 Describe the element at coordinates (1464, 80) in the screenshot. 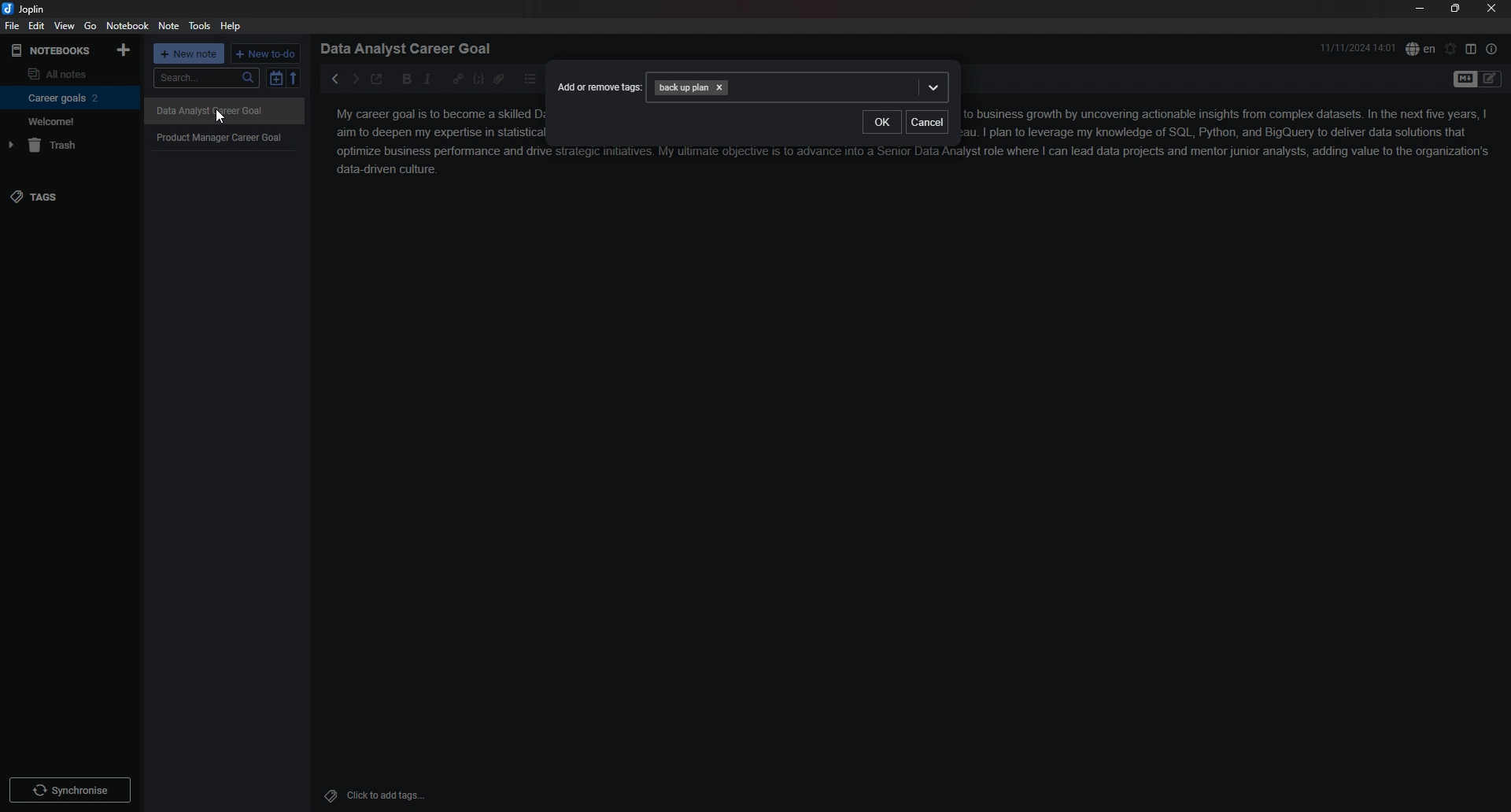

I see `toggle editor` at that location.